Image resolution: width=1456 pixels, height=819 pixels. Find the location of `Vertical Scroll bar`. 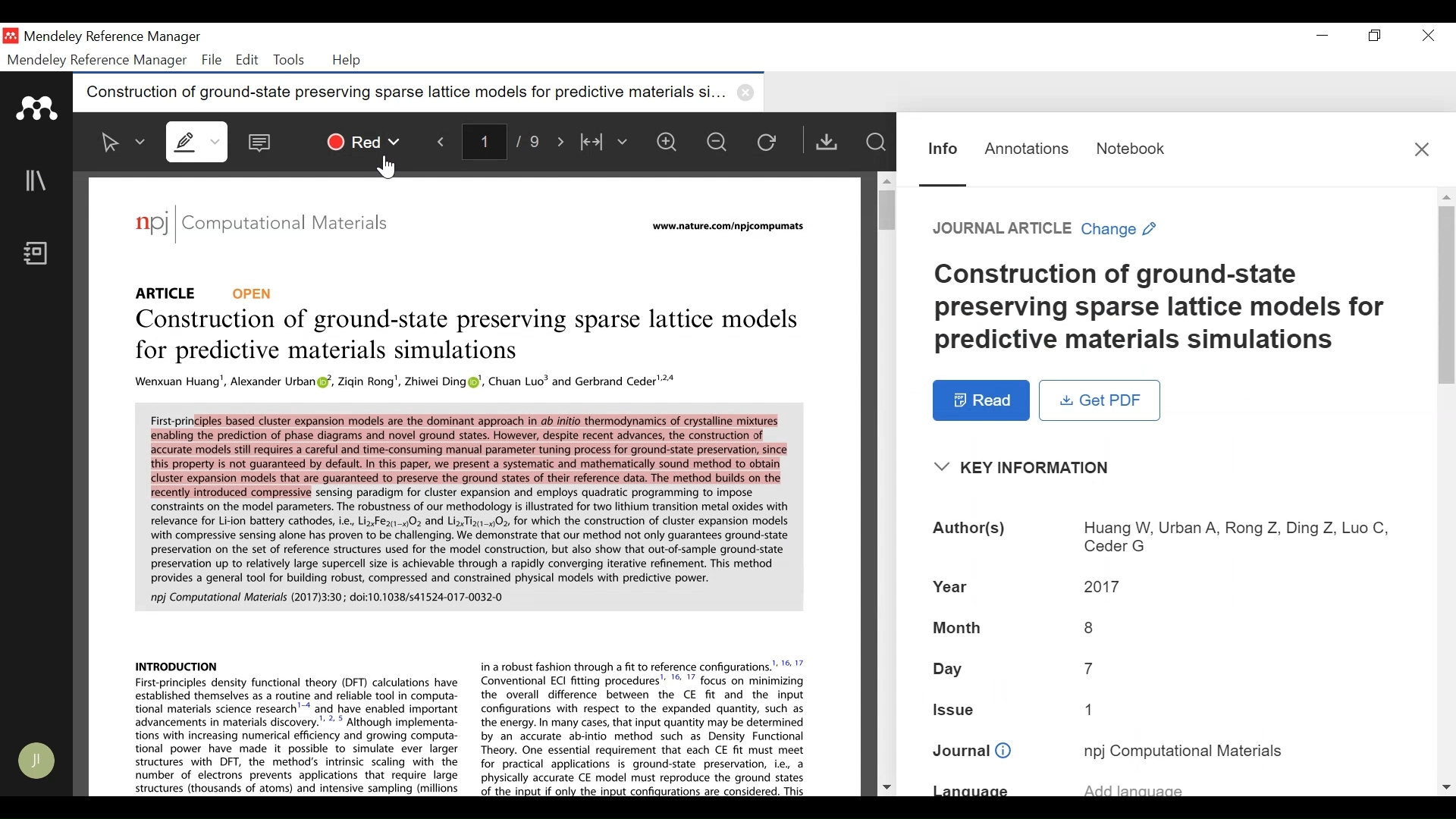

Vertical Scroll bar is located at coordinates (886, 208).